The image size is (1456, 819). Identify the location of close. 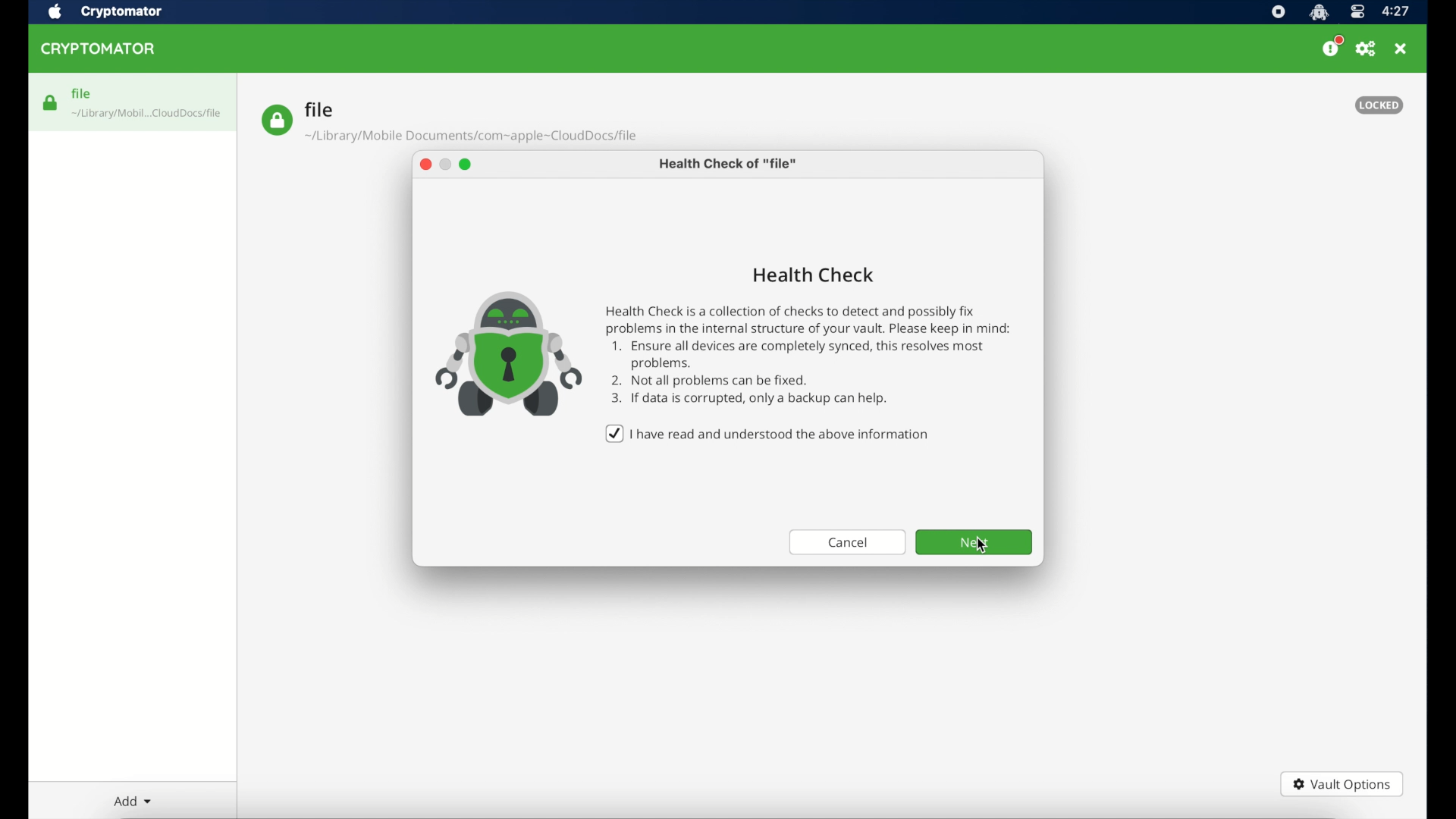
(1402, 49).